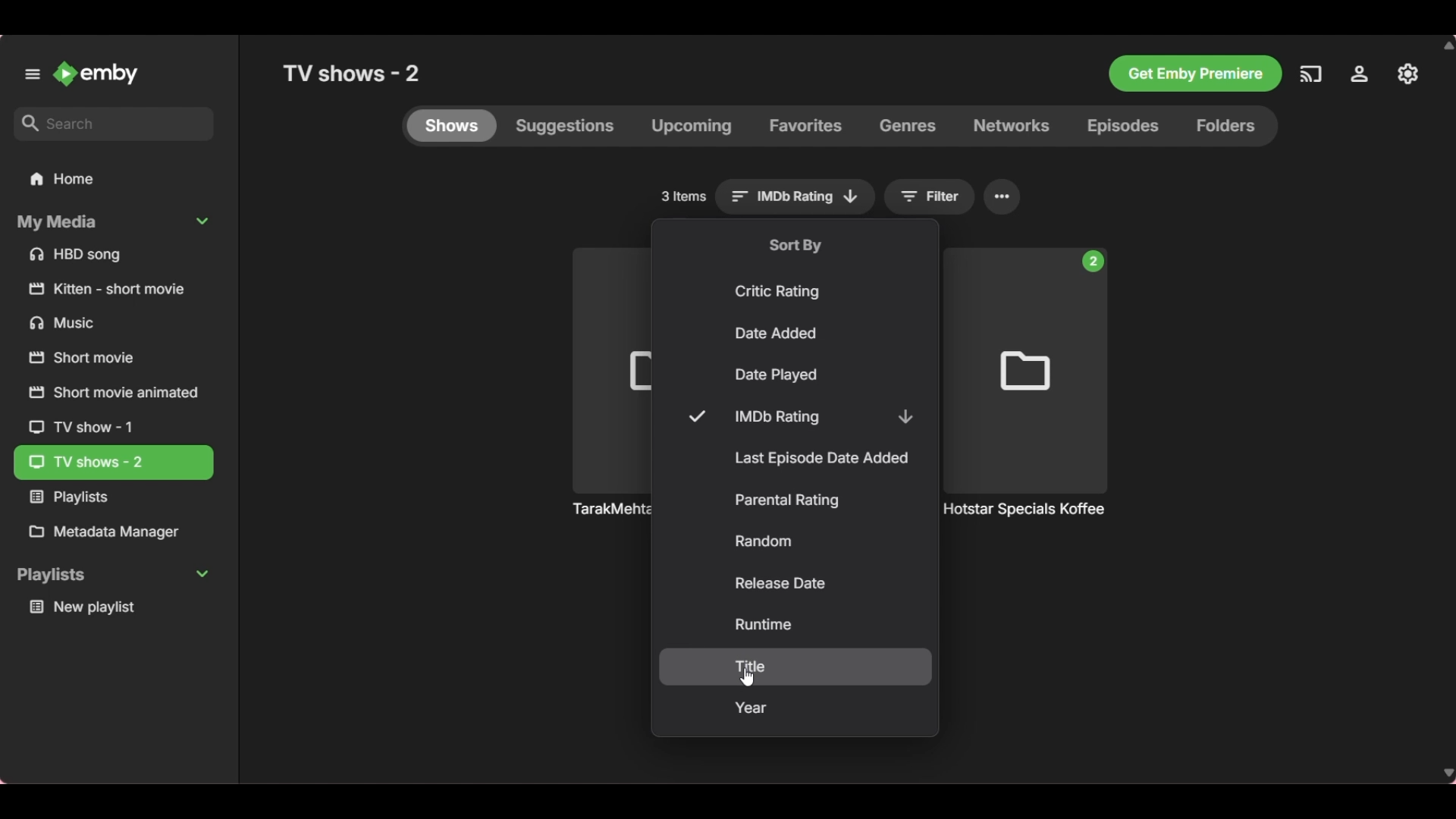  I want to click on TV shows sorted according to IMDb rating in ascending order, so click(1028, 517).